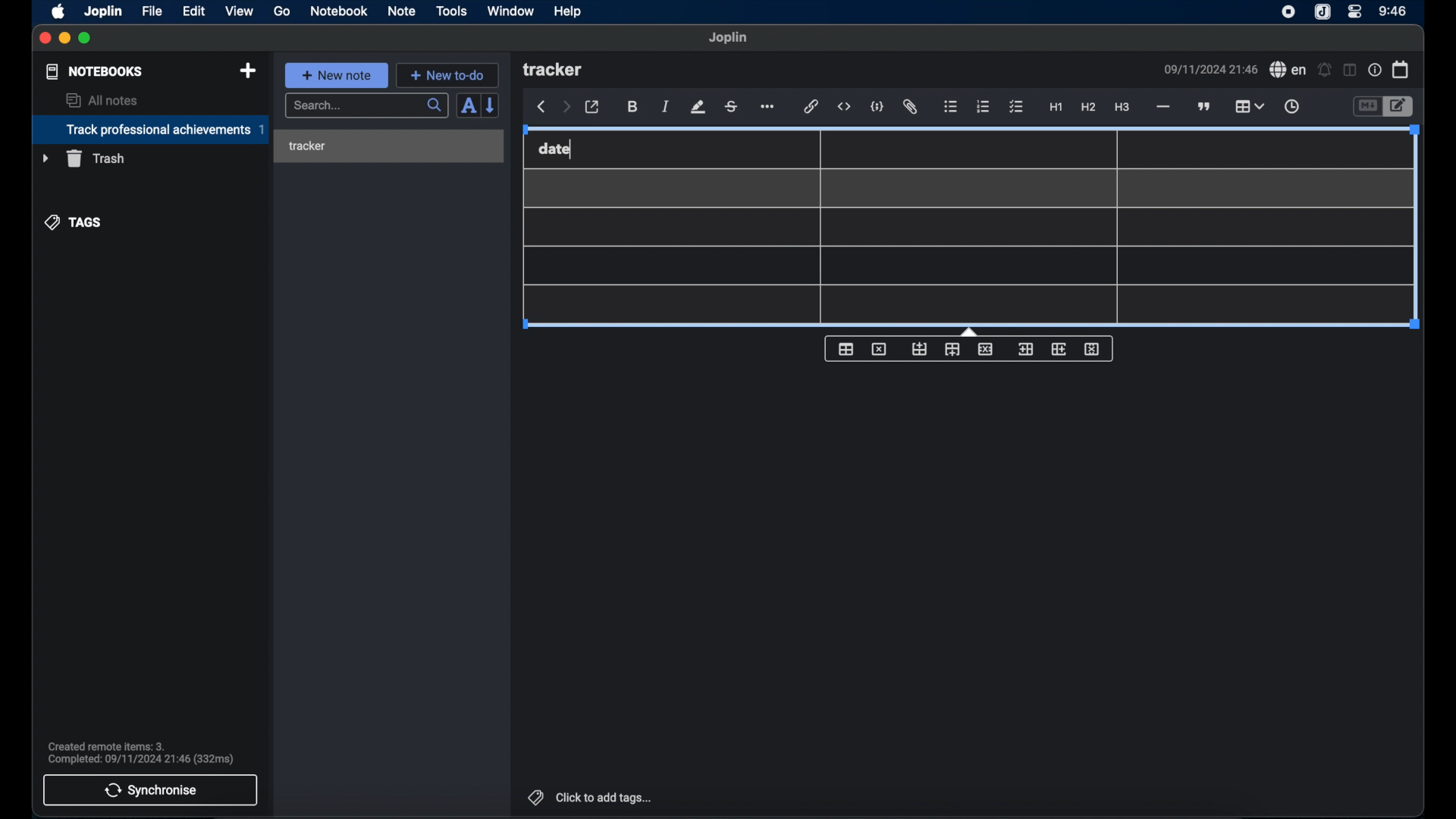  I want to click on toggle editor layout, so click(1348, 71).